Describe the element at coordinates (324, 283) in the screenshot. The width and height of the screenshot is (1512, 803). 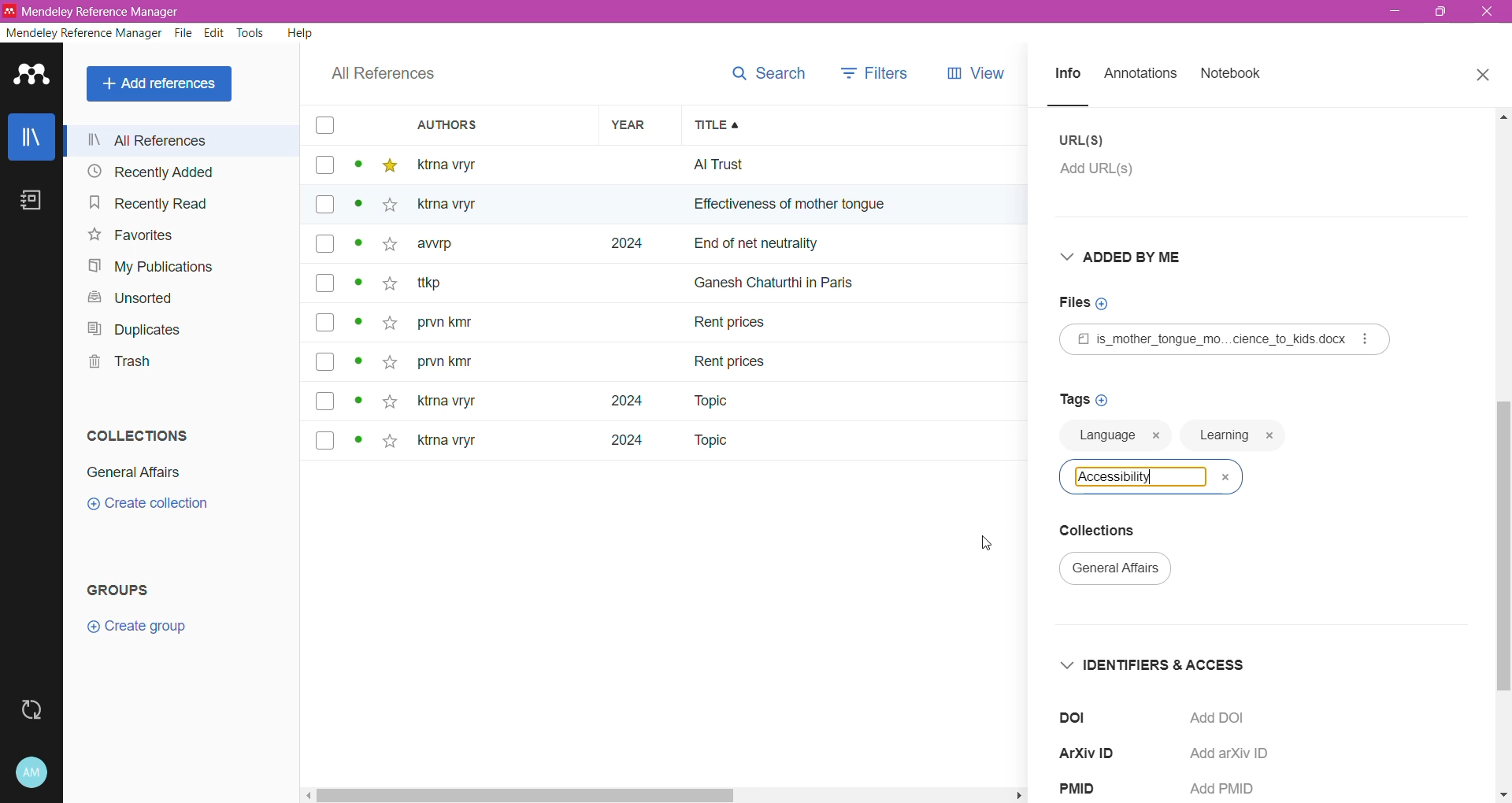
I see `box` at that location.